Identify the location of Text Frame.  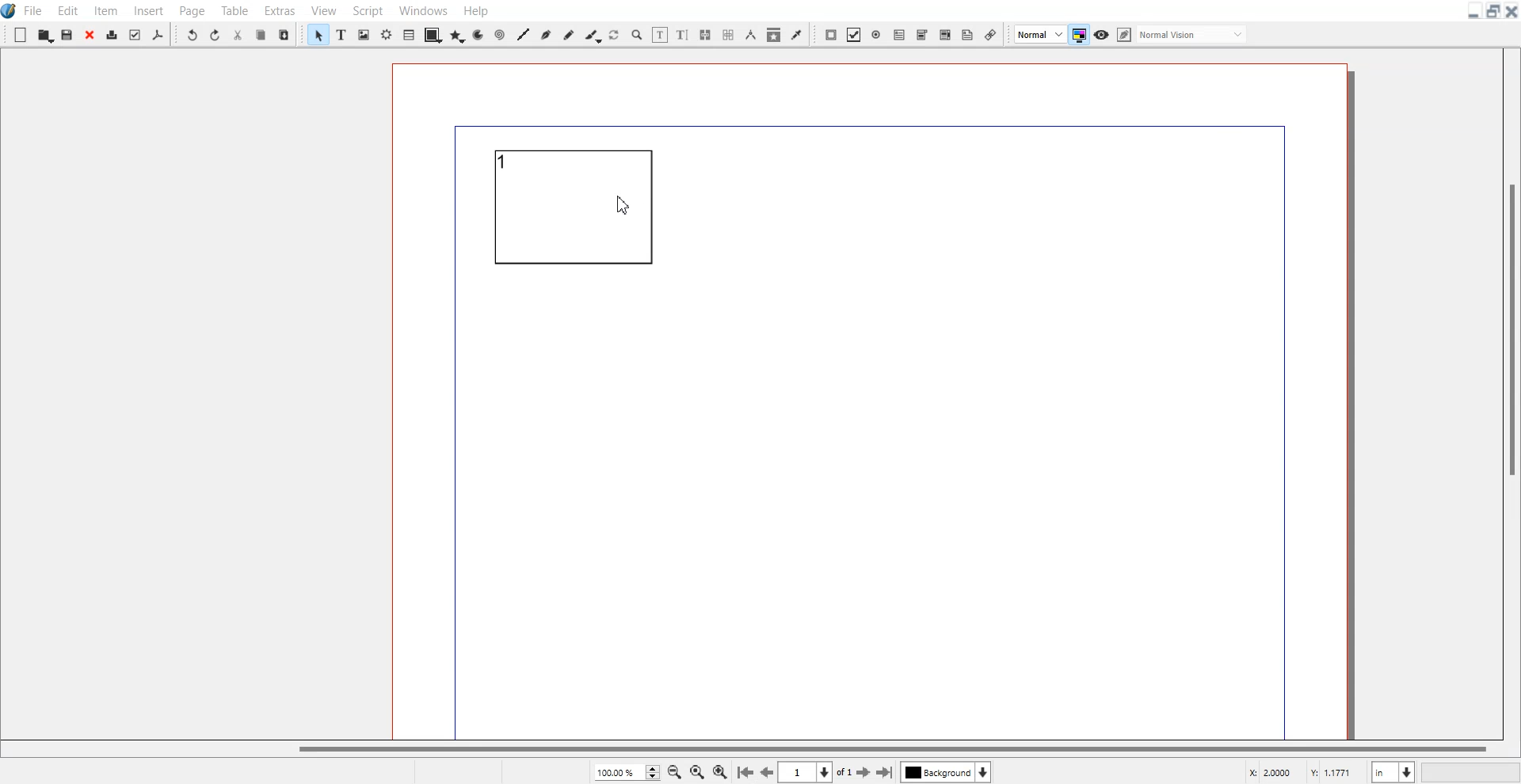
(581, 215).